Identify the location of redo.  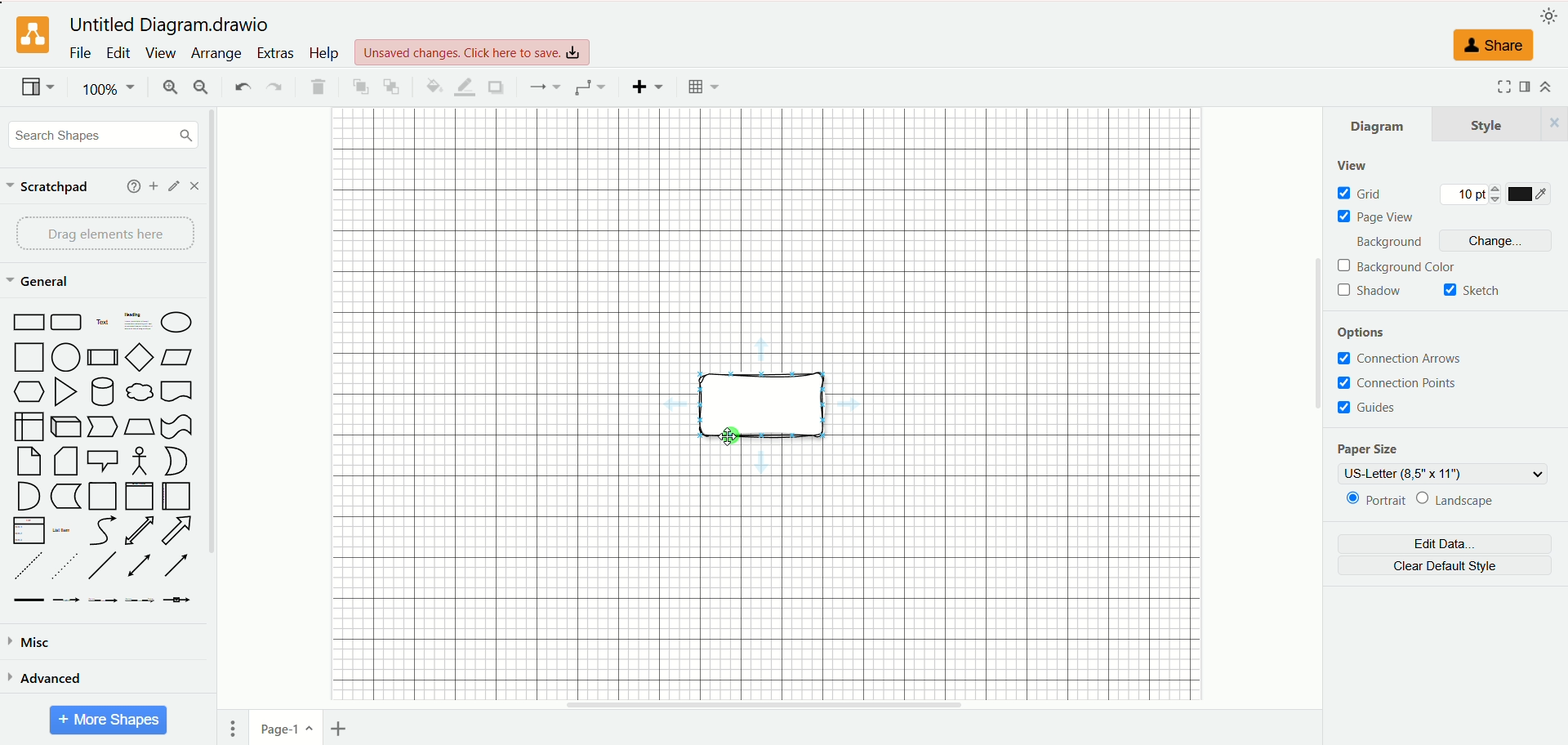
(273, 88).